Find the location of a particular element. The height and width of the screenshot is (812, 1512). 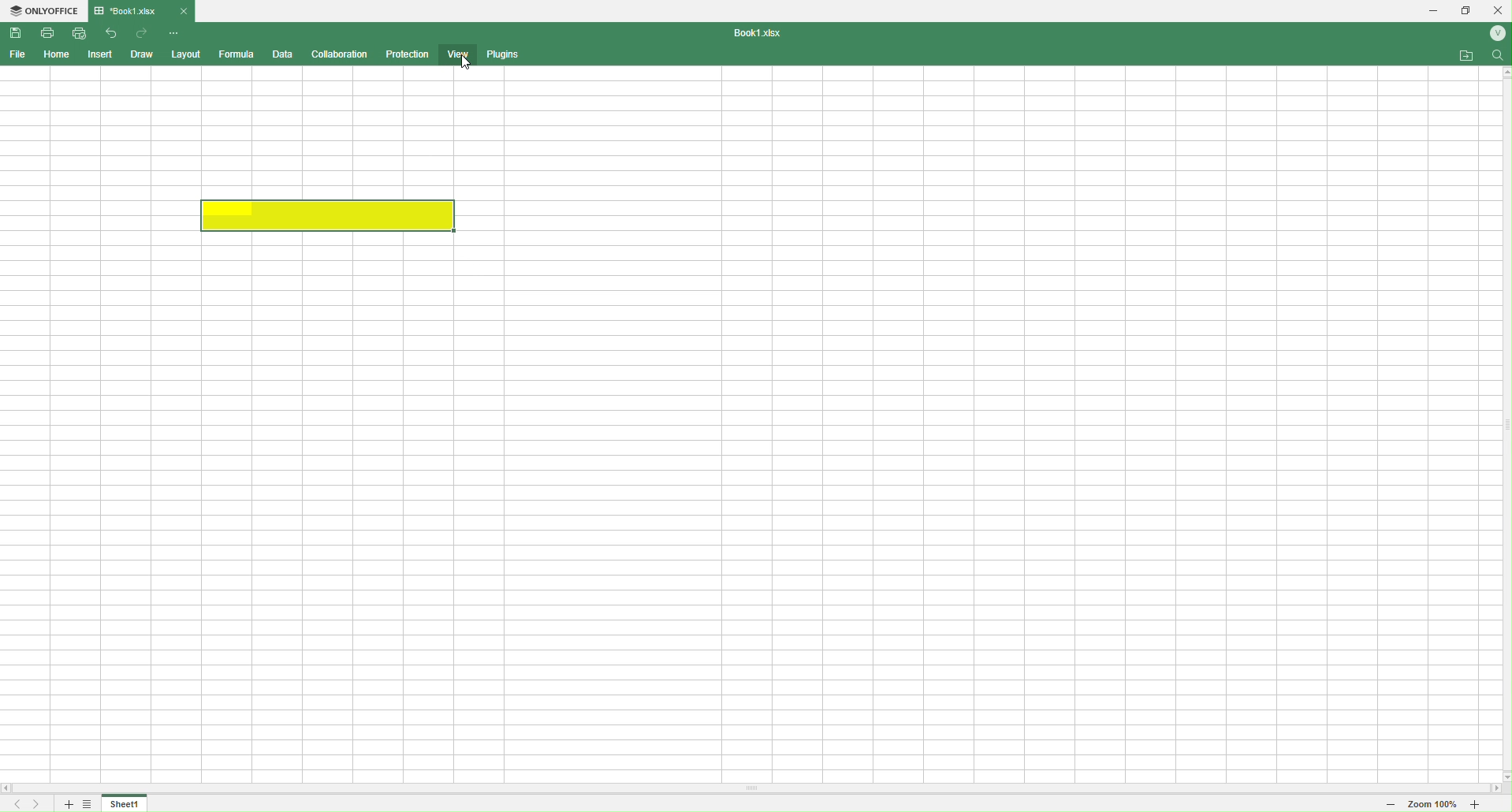

Print is located at coordinates (47, 32).